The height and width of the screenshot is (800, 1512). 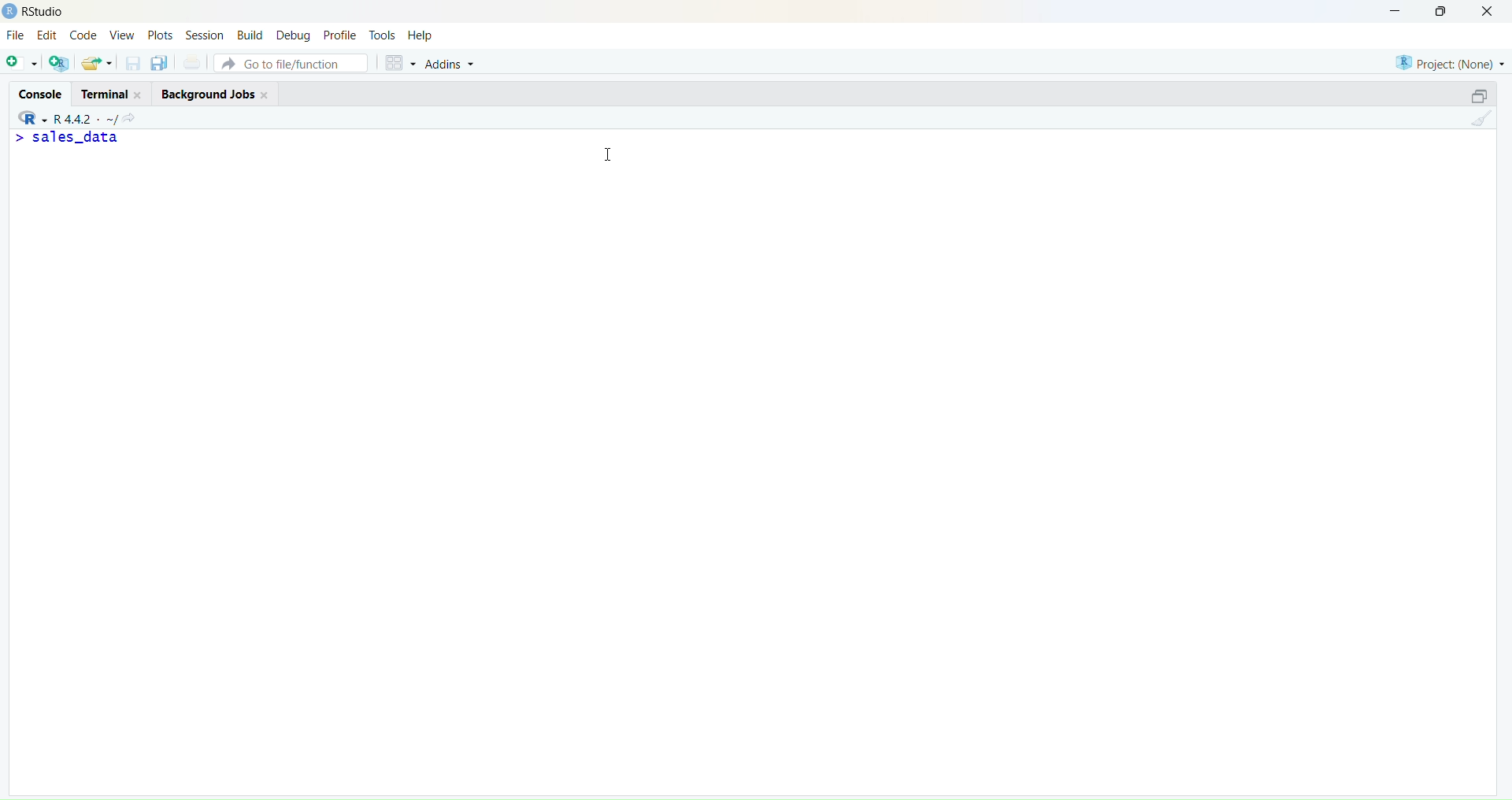 What do you see at coordinates (60, 65) in the screenshot?
I see `add multiple scripts` at bounding box center [60, 65].